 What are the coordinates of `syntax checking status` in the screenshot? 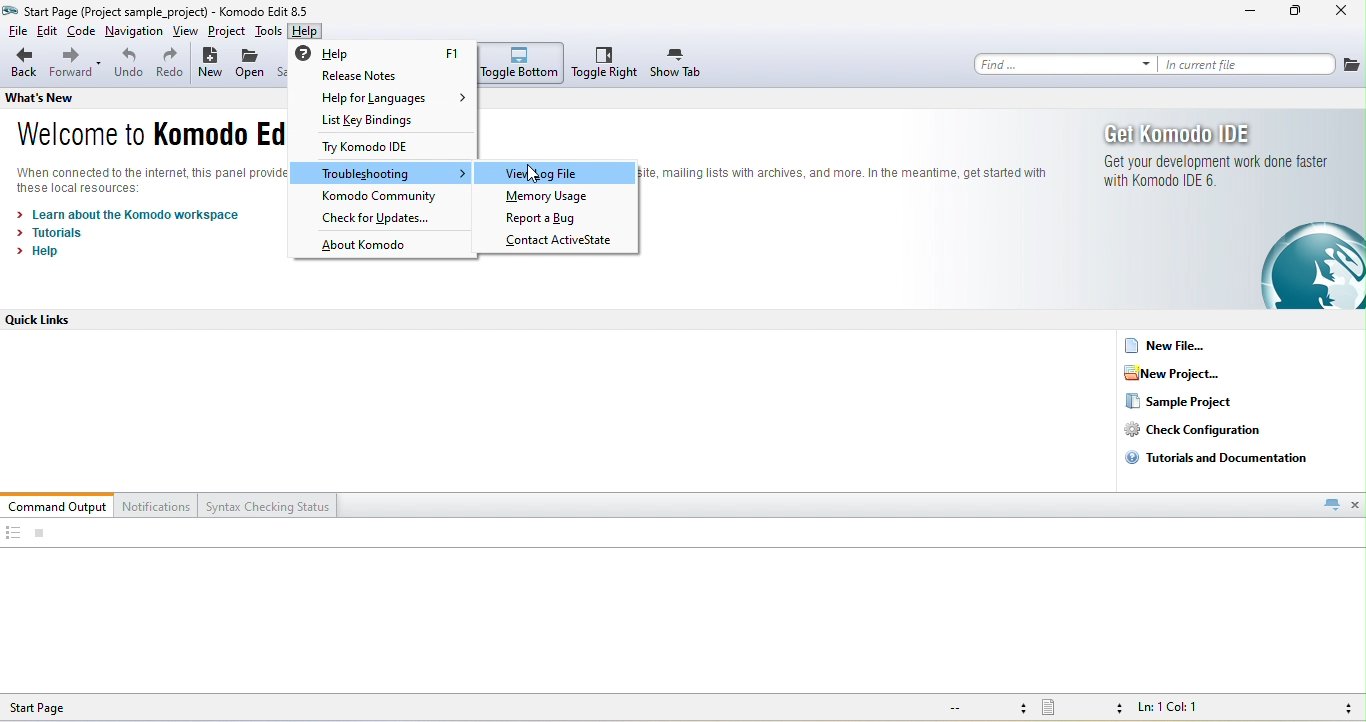 It's located at (269, 505).